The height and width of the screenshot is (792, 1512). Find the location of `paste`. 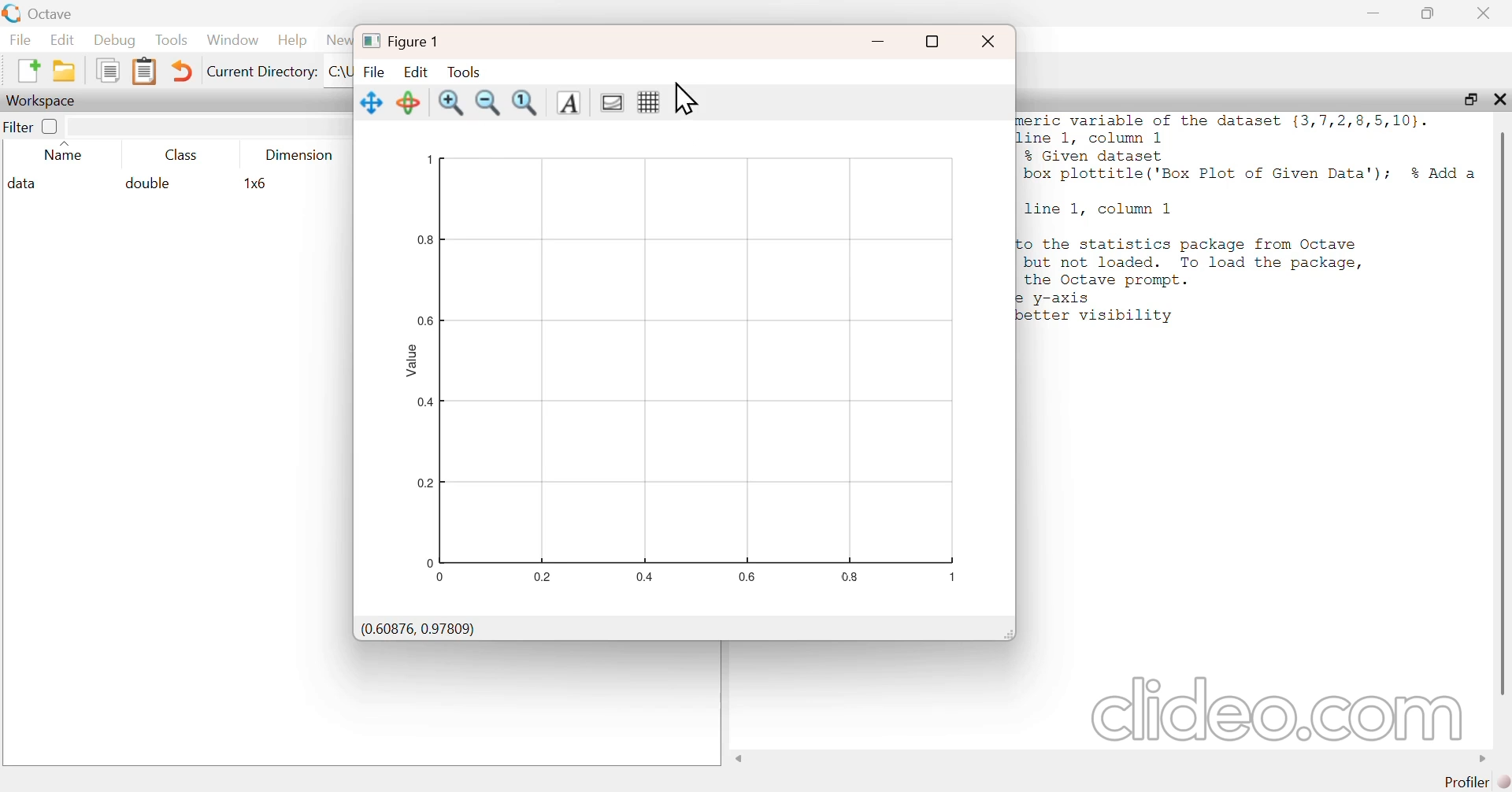

paste is located at coordinates (146, 69).